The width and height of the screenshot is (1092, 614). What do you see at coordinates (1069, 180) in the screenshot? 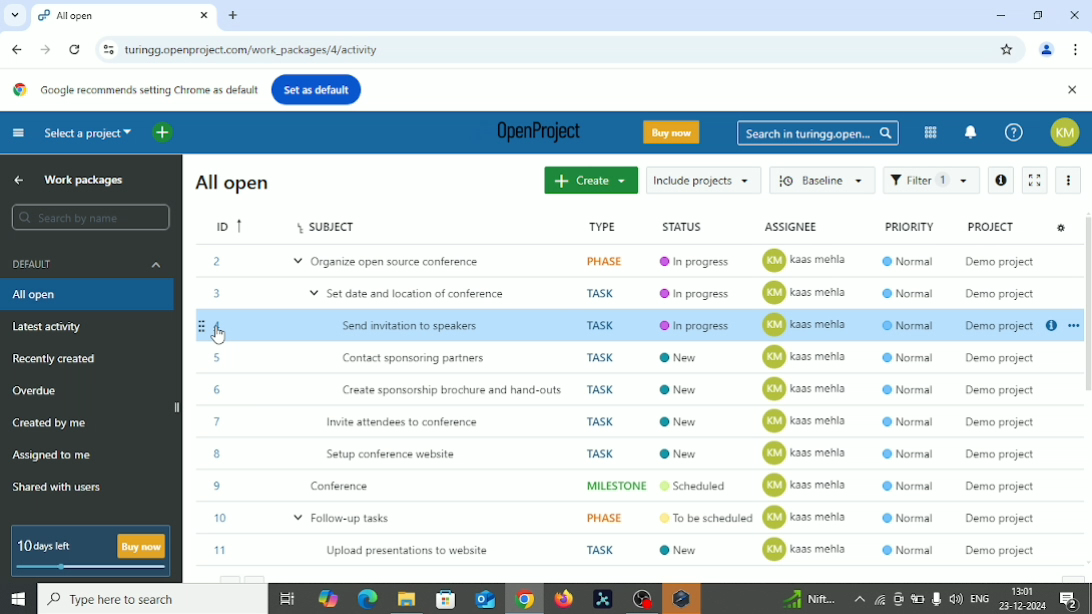
I see `More actions` at bounding box center [1069, 180].